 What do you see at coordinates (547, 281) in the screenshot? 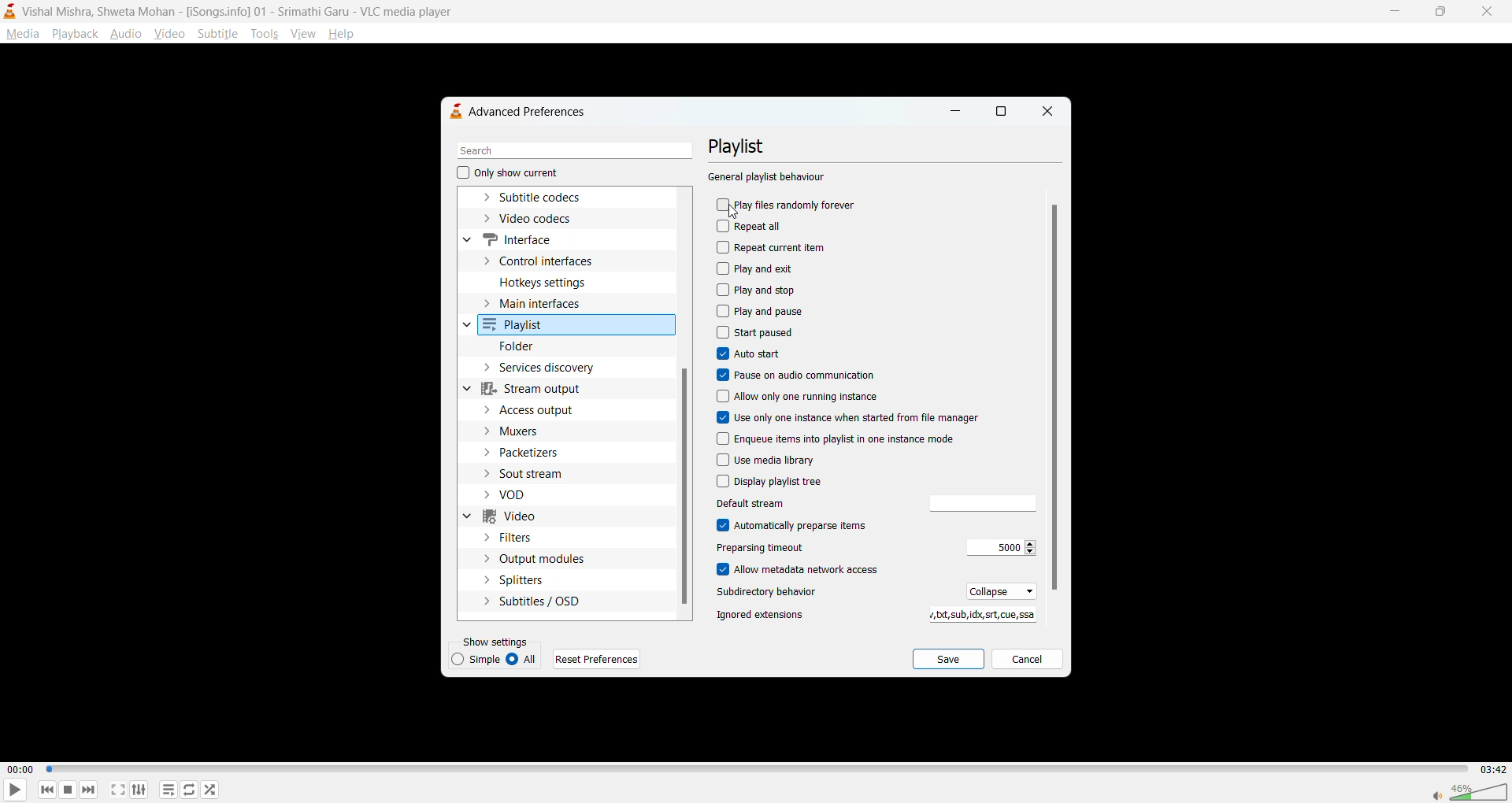
I see `hotkeys settings` at bounding box center [547, 281].